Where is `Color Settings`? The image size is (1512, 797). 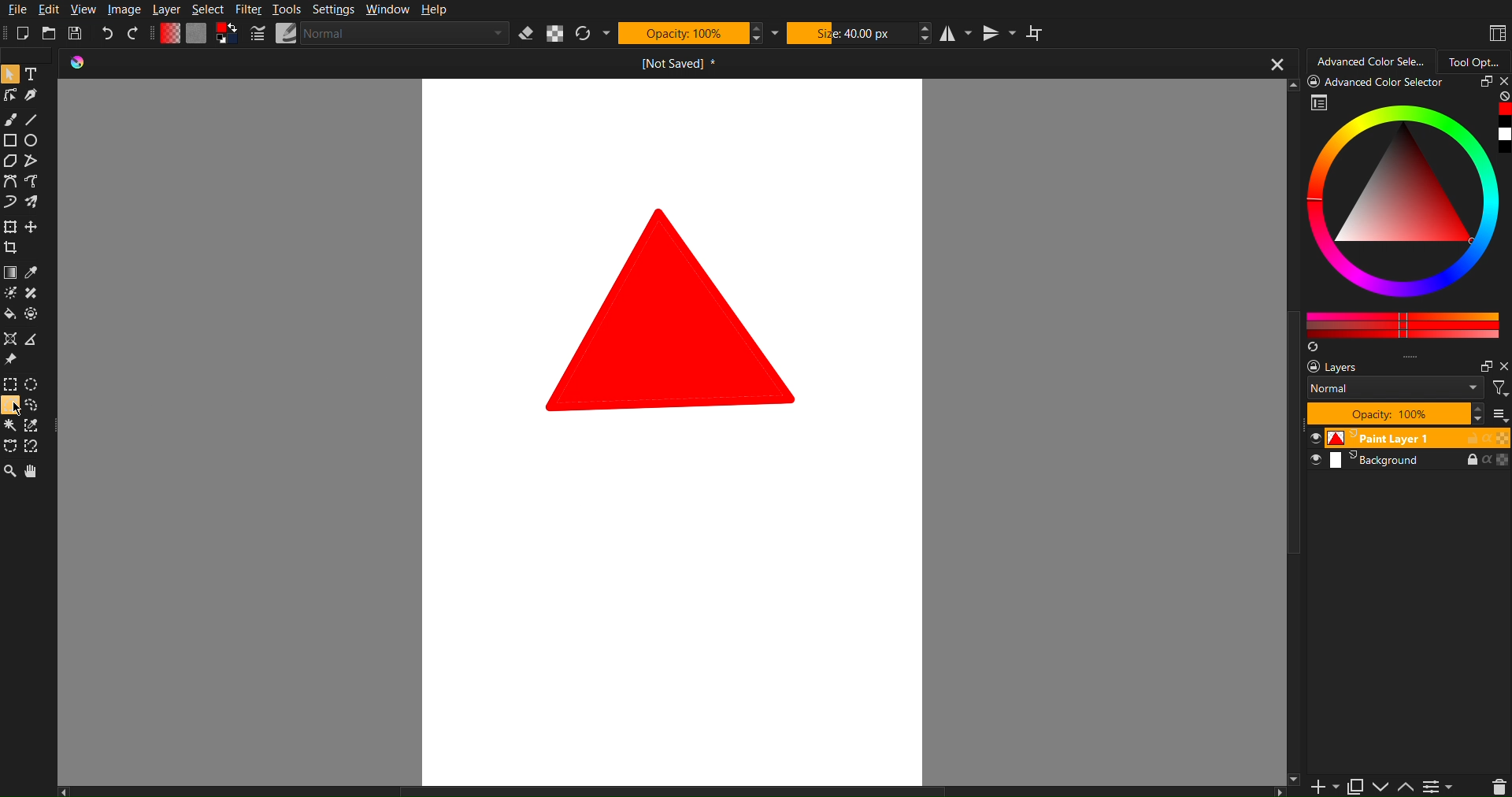
Color Settings is located at coordinates (202, 35).